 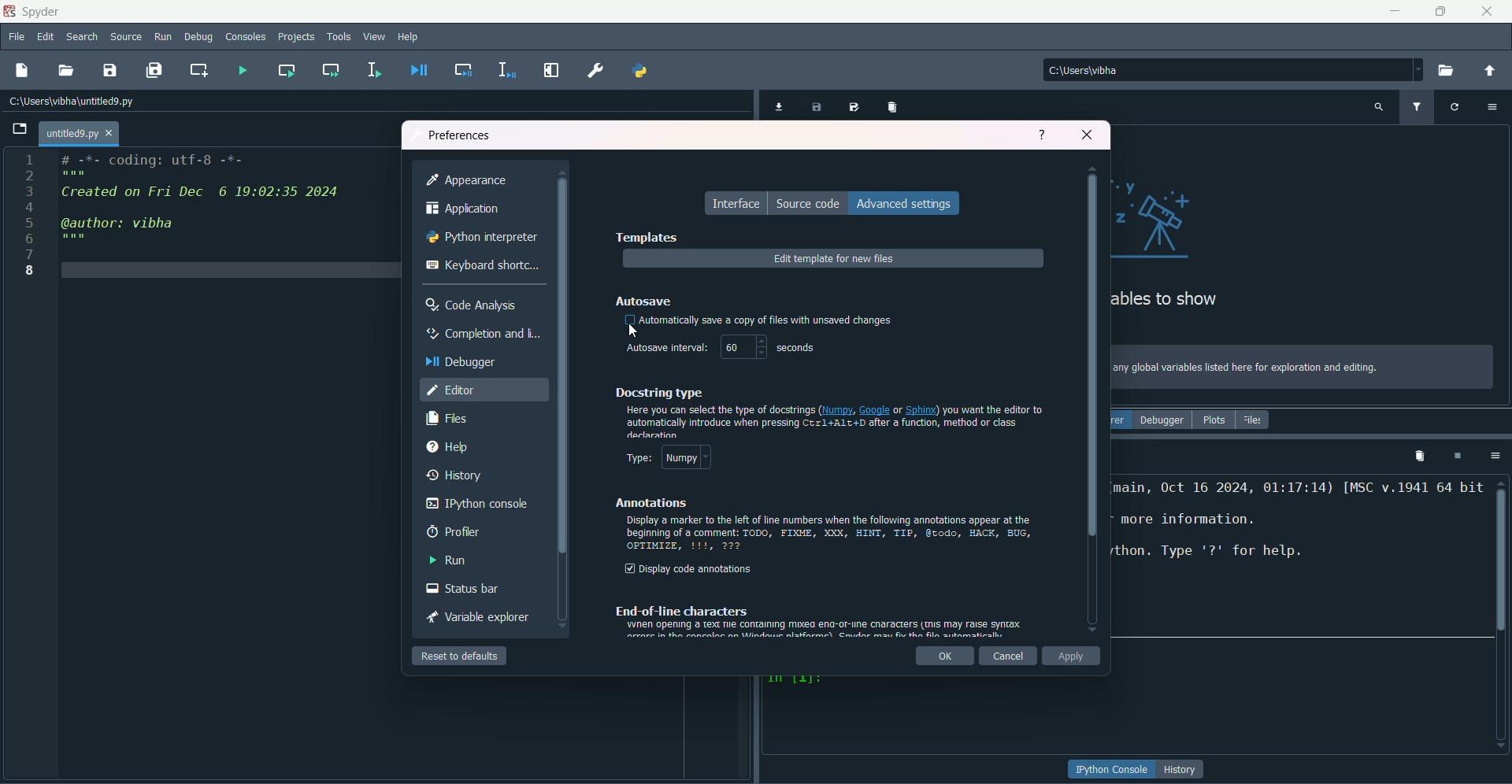 What do you see at coordinates (82, 39) in the screenshot?
I see `search` at bounding box center [82, 39].